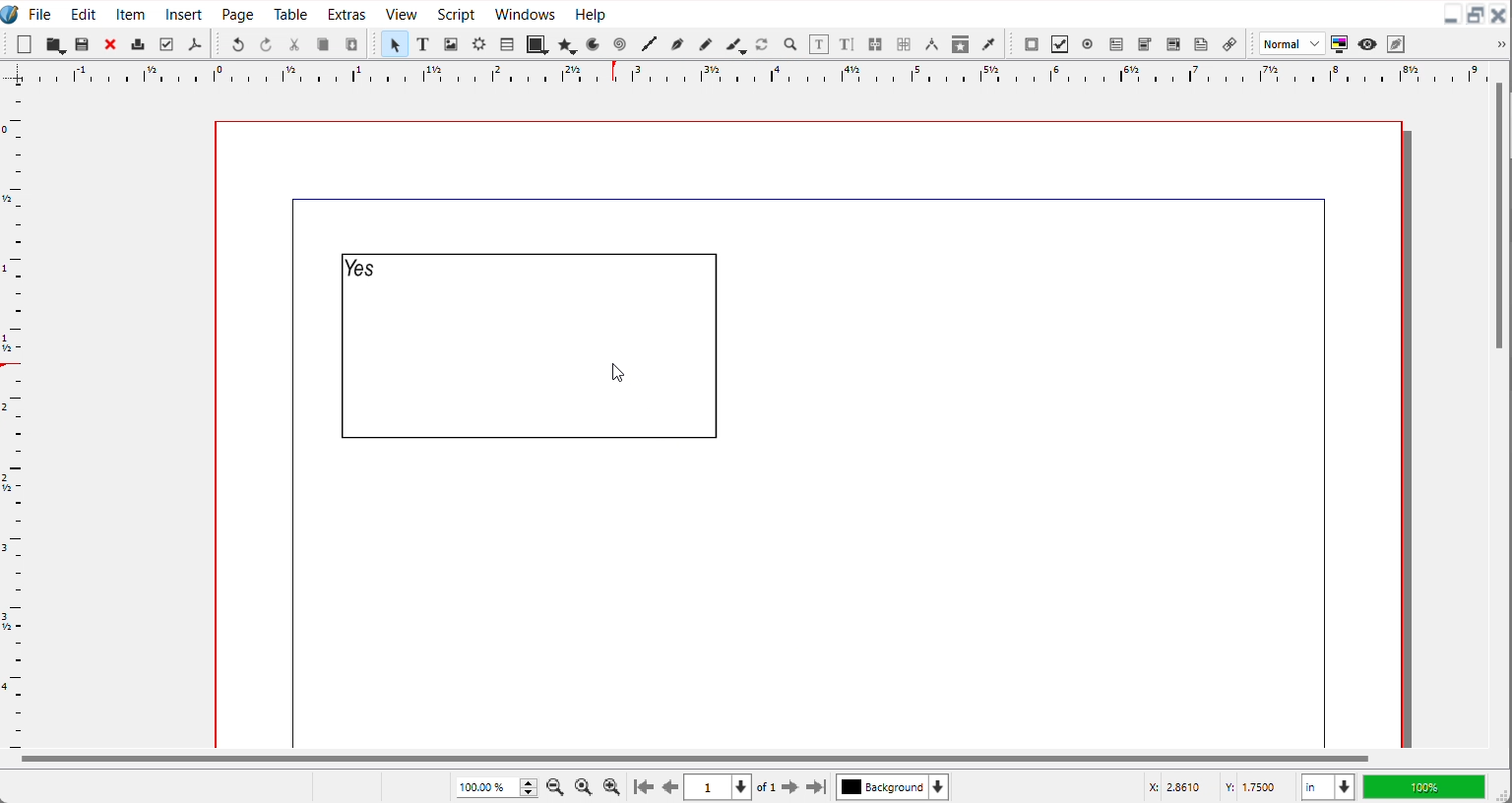 This screenshot has height=803, width=1512. I want to click on Text, so click(362, 267).